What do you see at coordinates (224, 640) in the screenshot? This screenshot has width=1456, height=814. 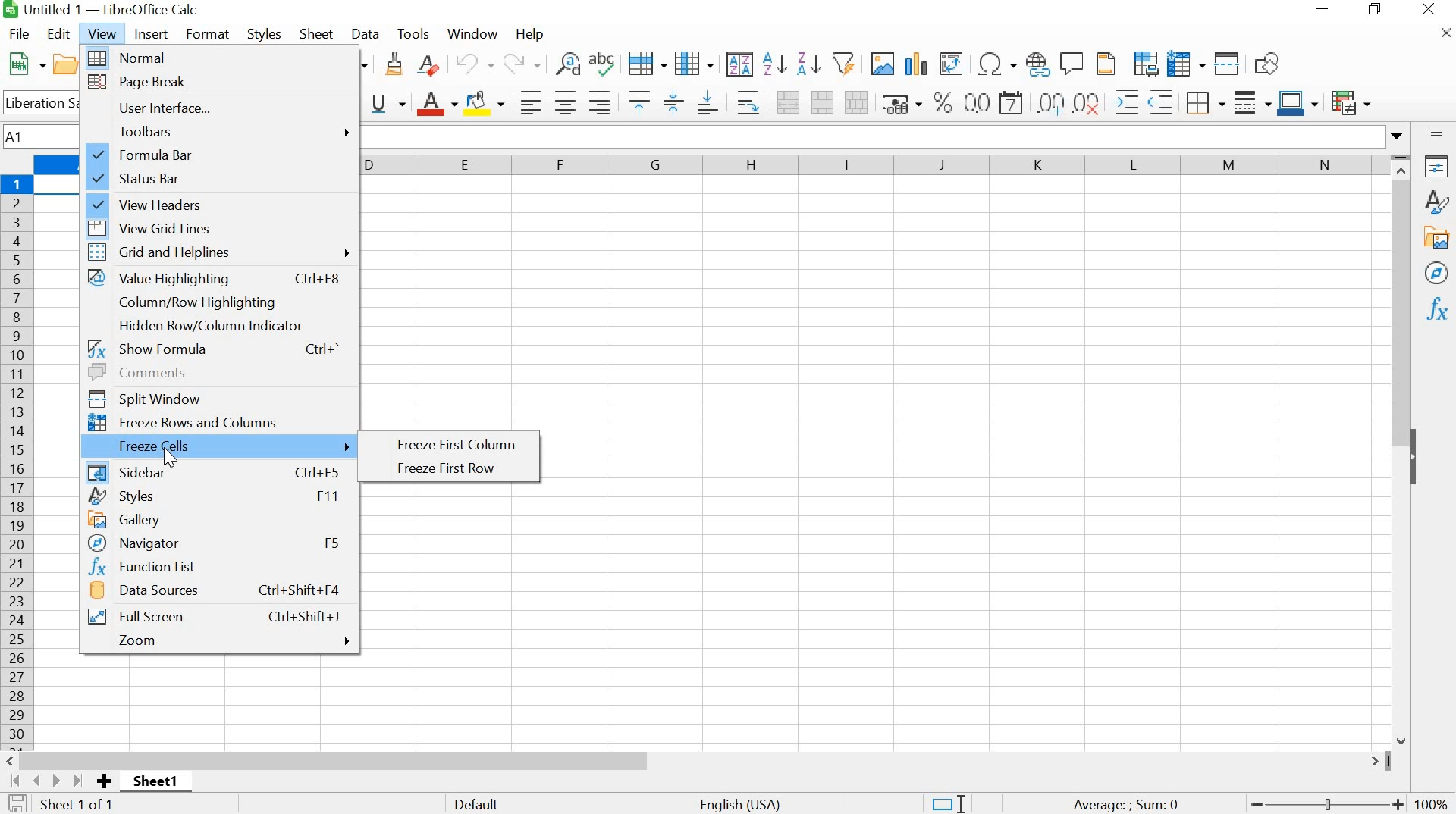 I see `ZOOM` at bounding box center [224, 640].